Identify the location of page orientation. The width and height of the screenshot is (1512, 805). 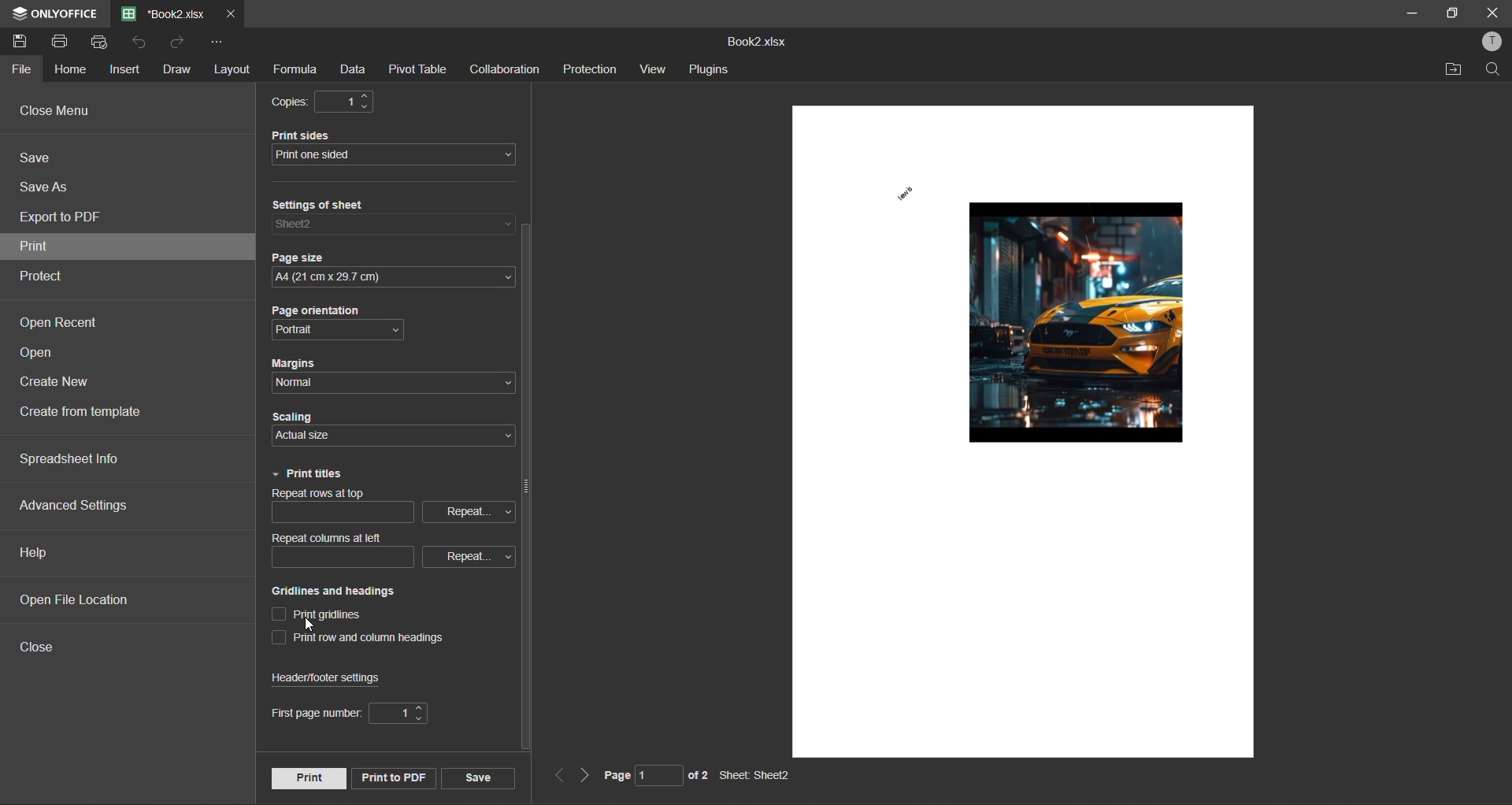
(318, 312).